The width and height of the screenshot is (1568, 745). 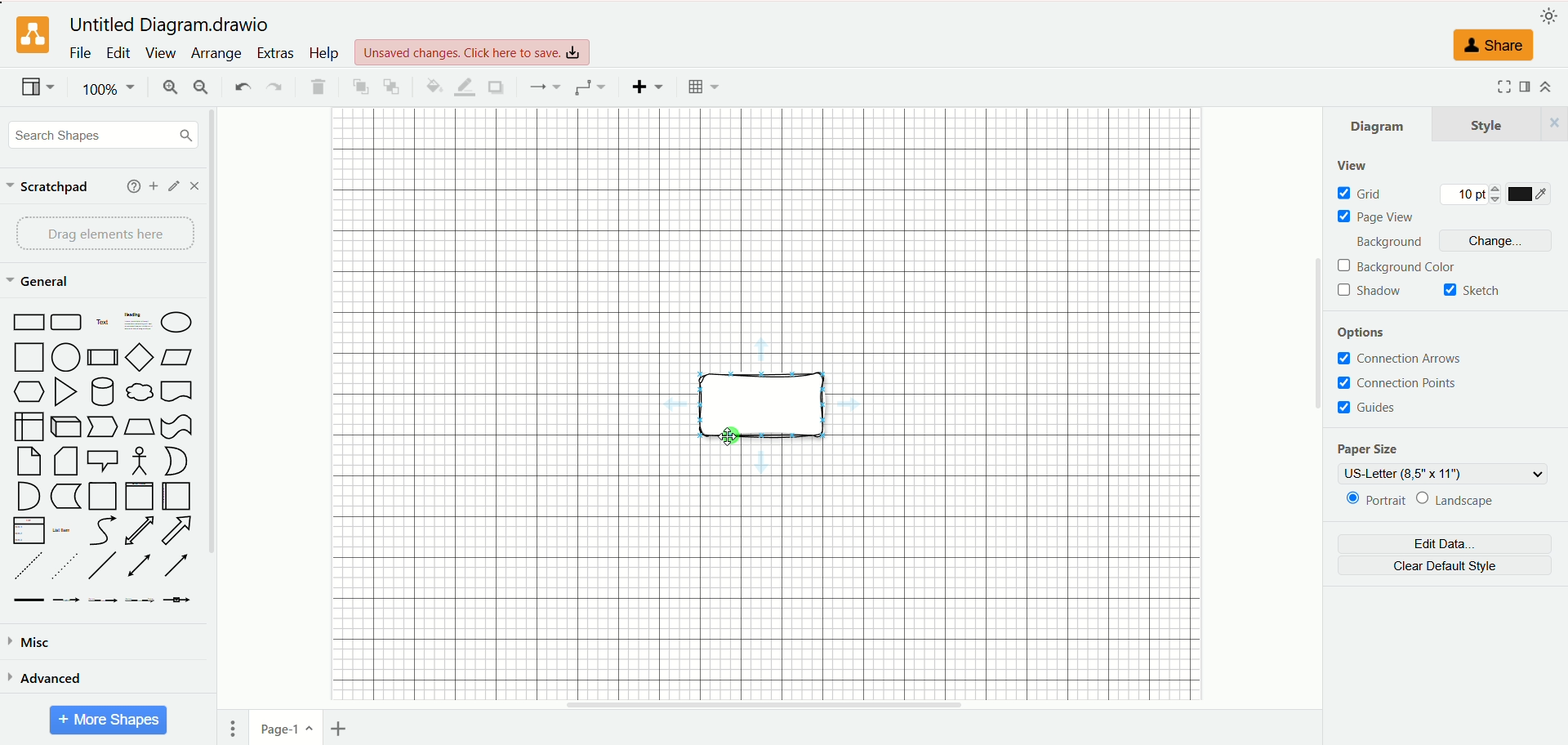 I want to click on canvas, so click(x=772, y=402).